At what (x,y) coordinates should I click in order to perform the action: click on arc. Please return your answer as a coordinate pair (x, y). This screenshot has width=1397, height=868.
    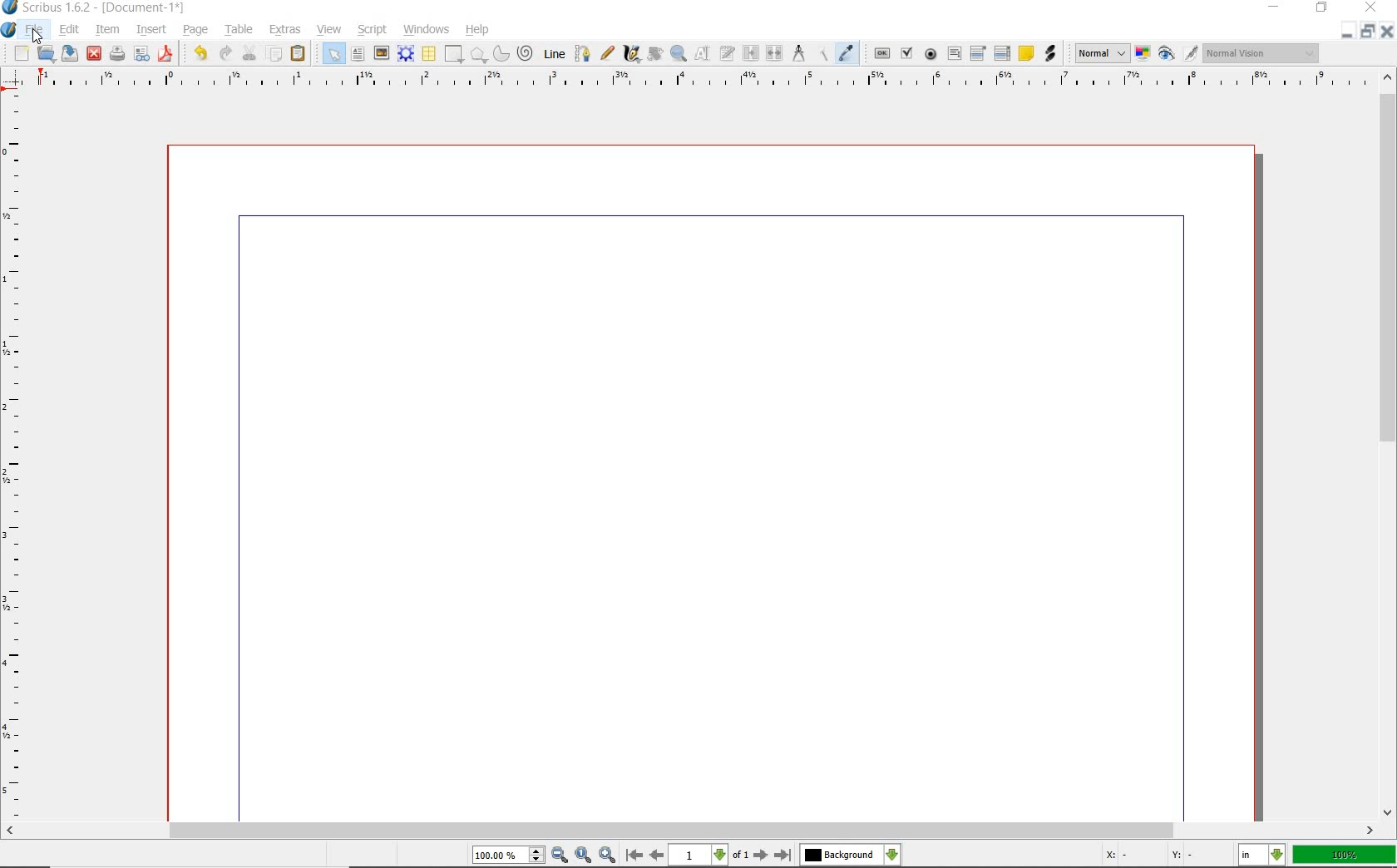
    Looking at the image, I should click on (500, 55).